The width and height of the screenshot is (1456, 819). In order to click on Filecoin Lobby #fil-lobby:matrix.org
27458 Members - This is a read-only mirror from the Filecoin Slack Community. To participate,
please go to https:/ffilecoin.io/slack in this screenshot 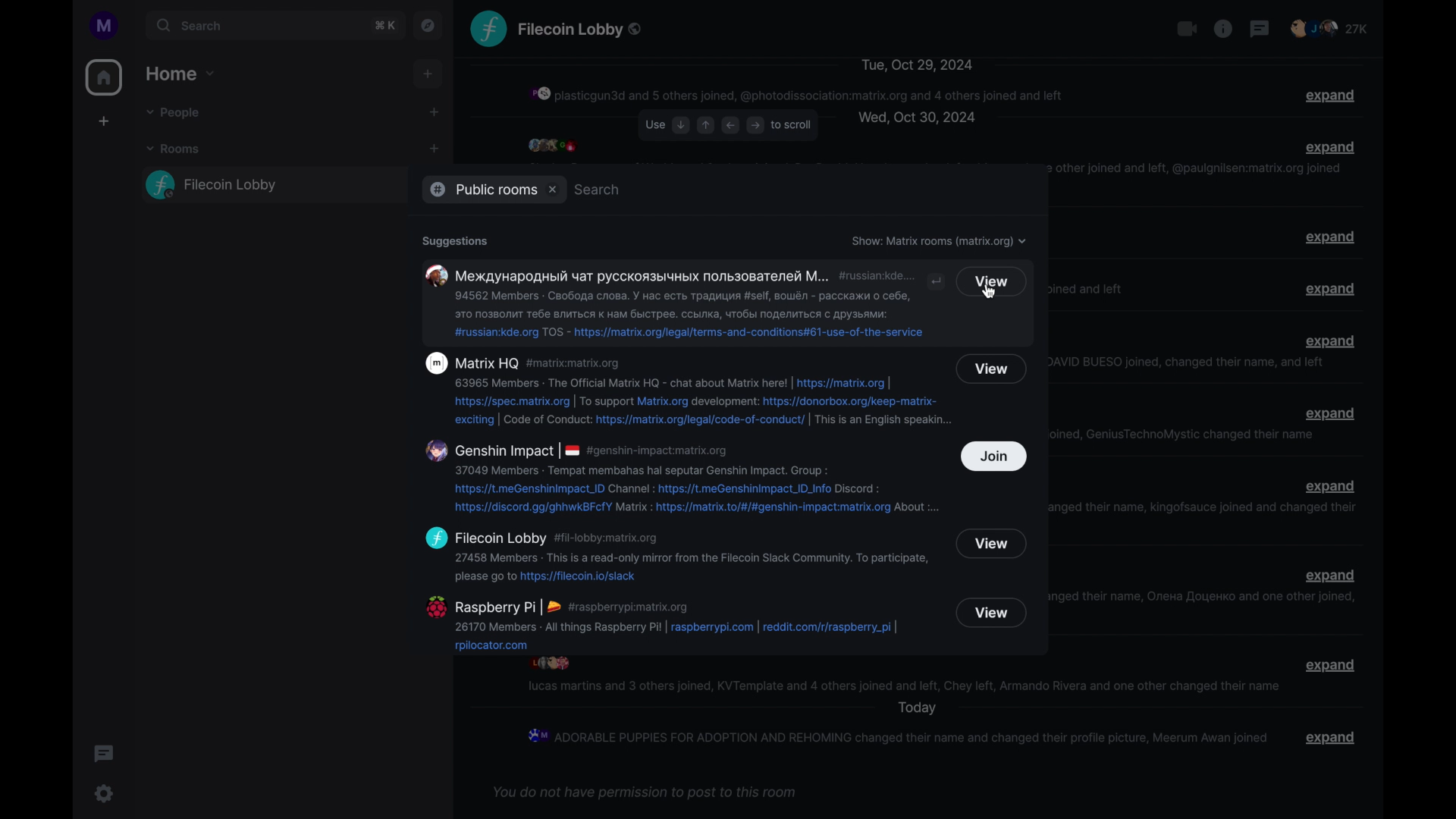, I will do `click(676, 555)`.